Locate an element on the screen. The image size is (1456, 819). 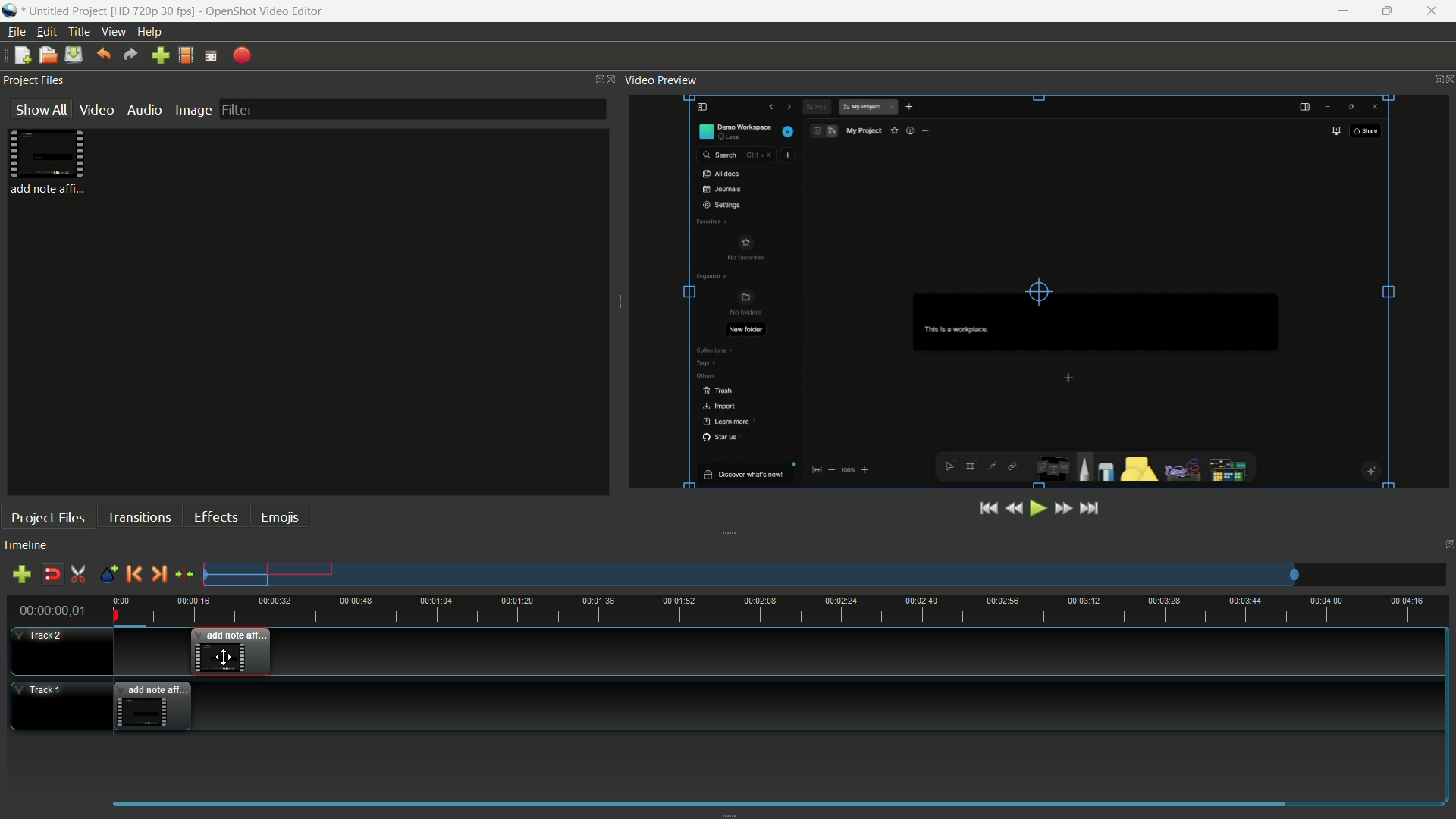
close timeline is located at coordinates (1448, 543).